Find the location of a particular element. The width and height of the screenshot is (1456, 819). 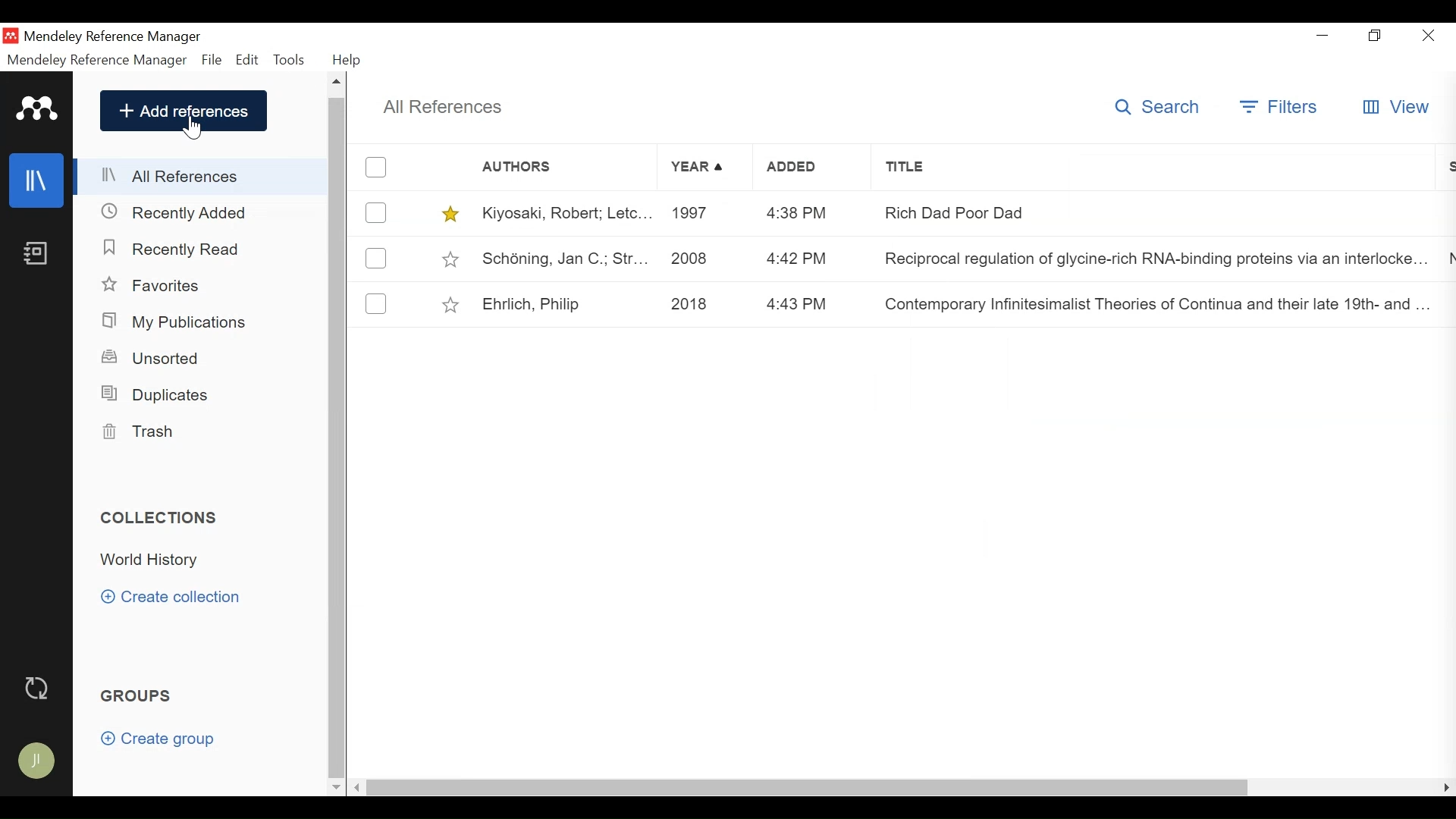

Collection is located at coordinates (156, 562).